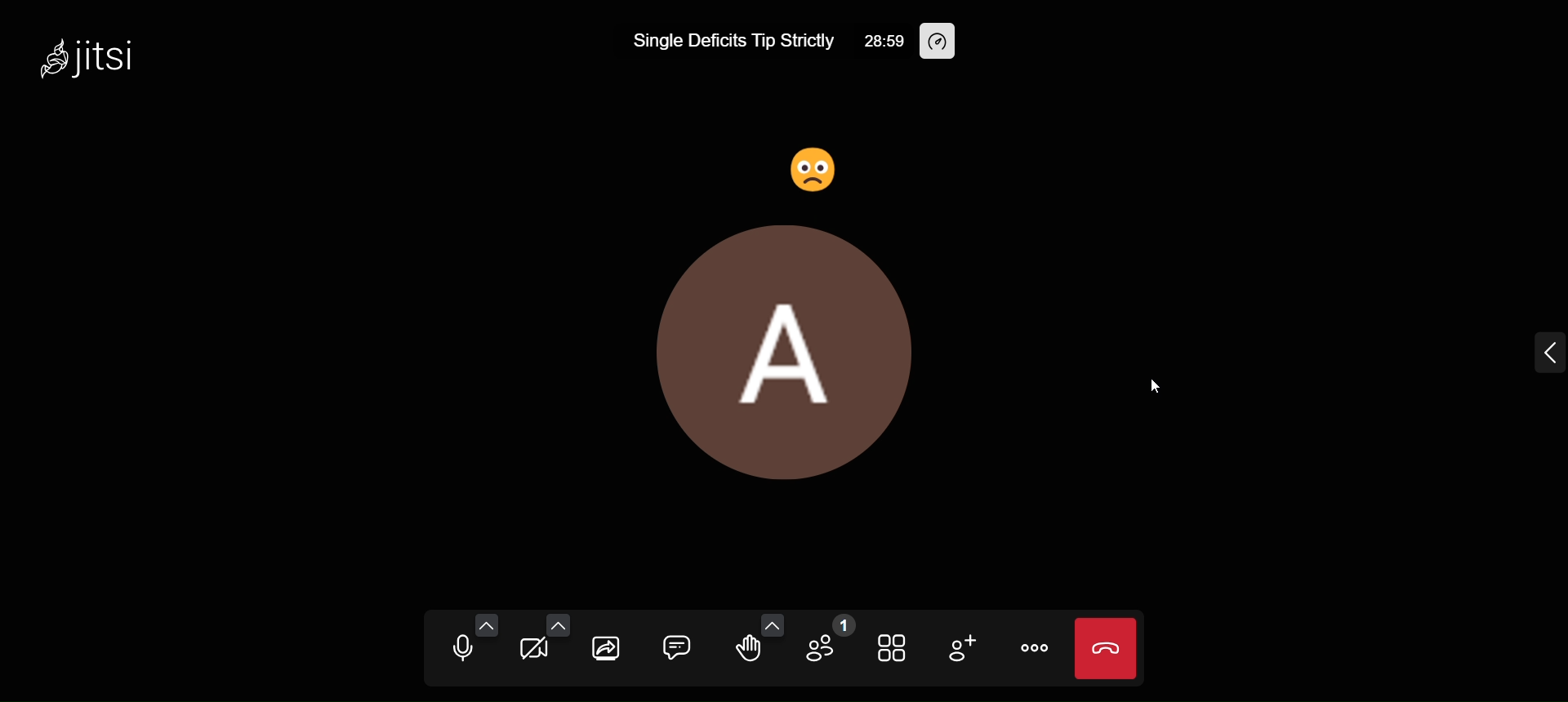 The height and width of the screenshot is (702, 1568). I want to click on audio settings, so click(485, 626).